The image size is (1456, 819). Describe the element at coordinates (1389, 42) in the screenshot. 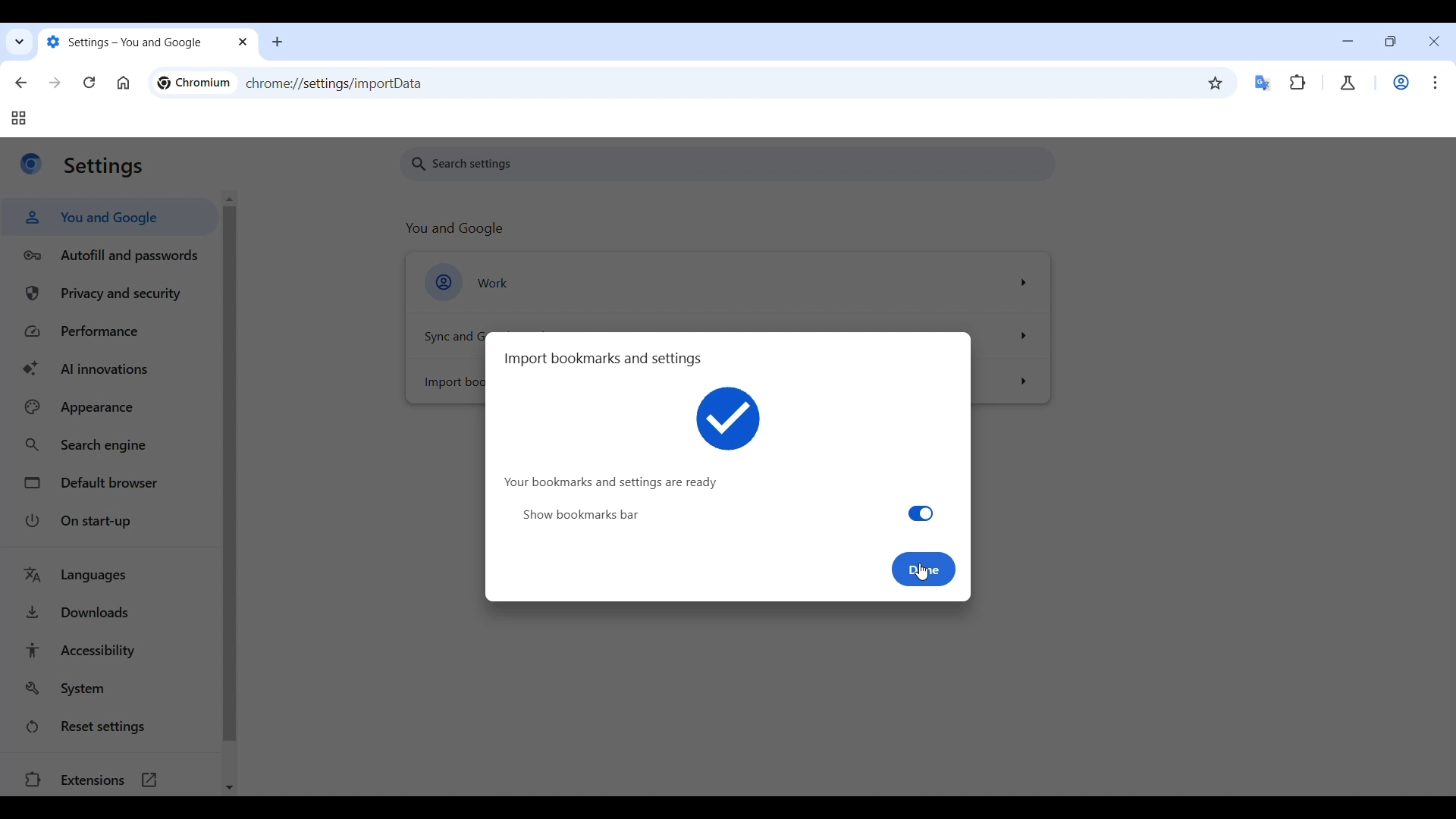

I see `Show interface in a smaller tab` at that location.